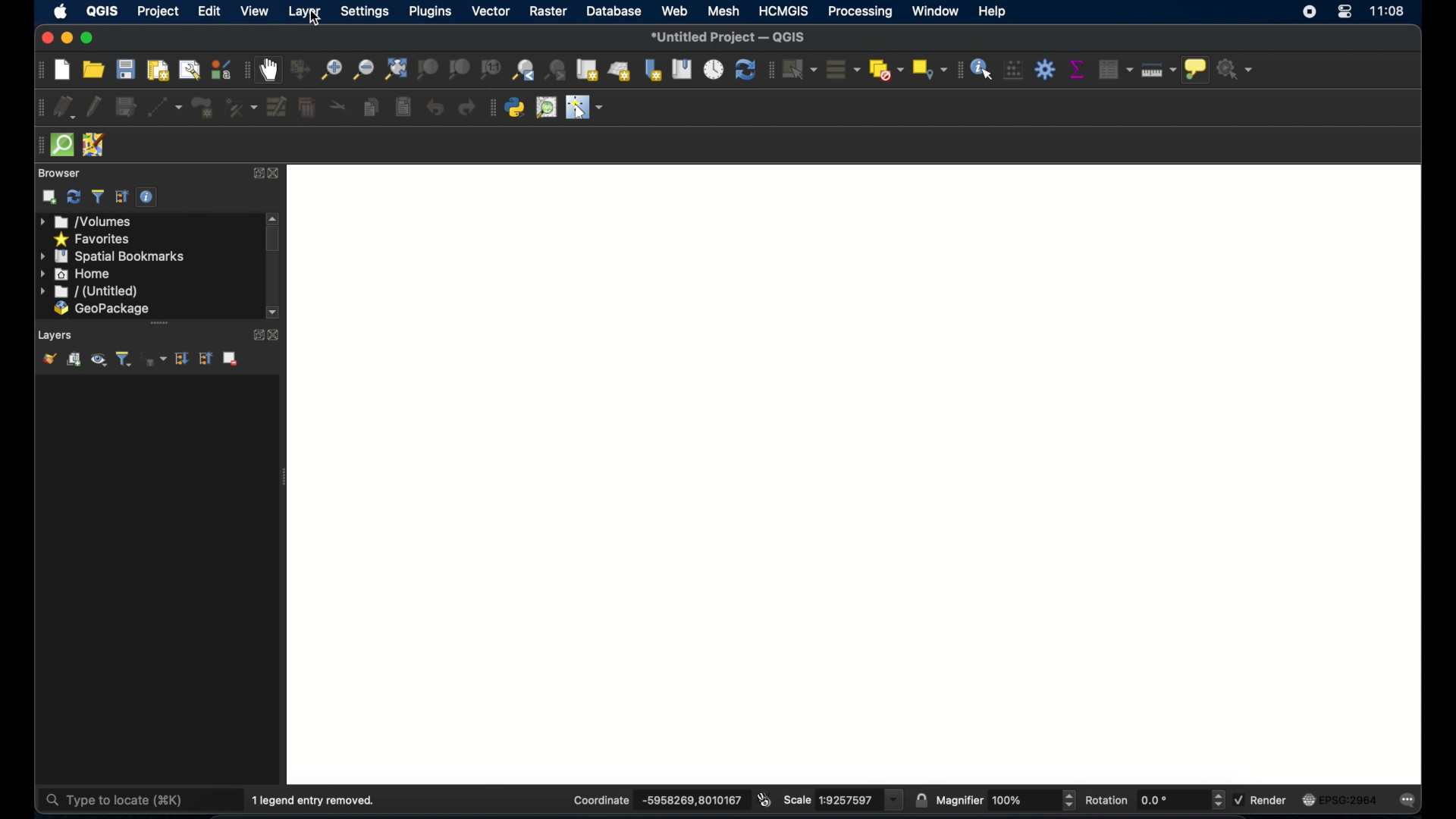 This screenshot has height=819, width=1456. Describe the element at coordinates (458, 69) in the screenshot. I see `zoom to layer` at that location.